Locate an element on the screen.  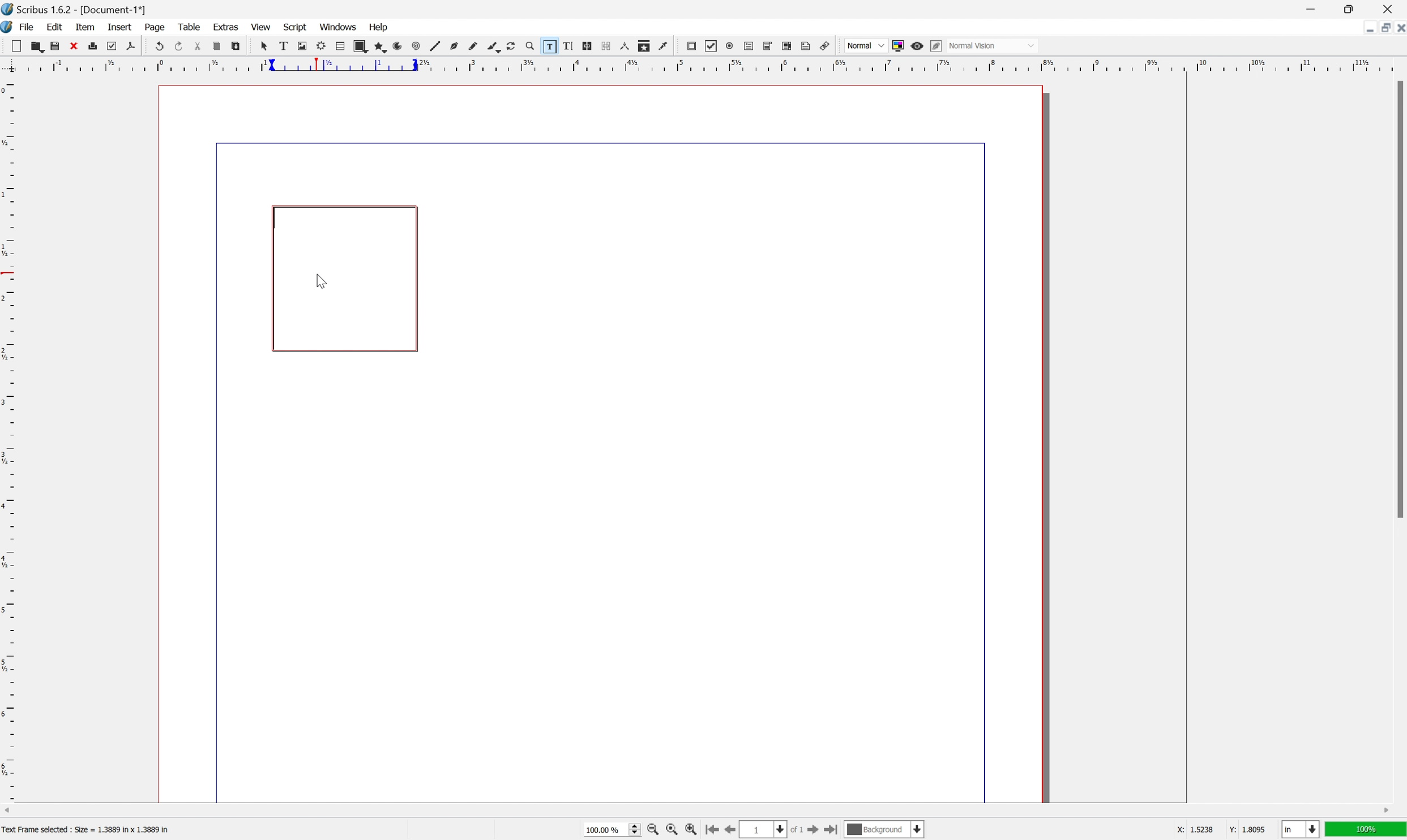
cursor is located at coordinates (320, 278).